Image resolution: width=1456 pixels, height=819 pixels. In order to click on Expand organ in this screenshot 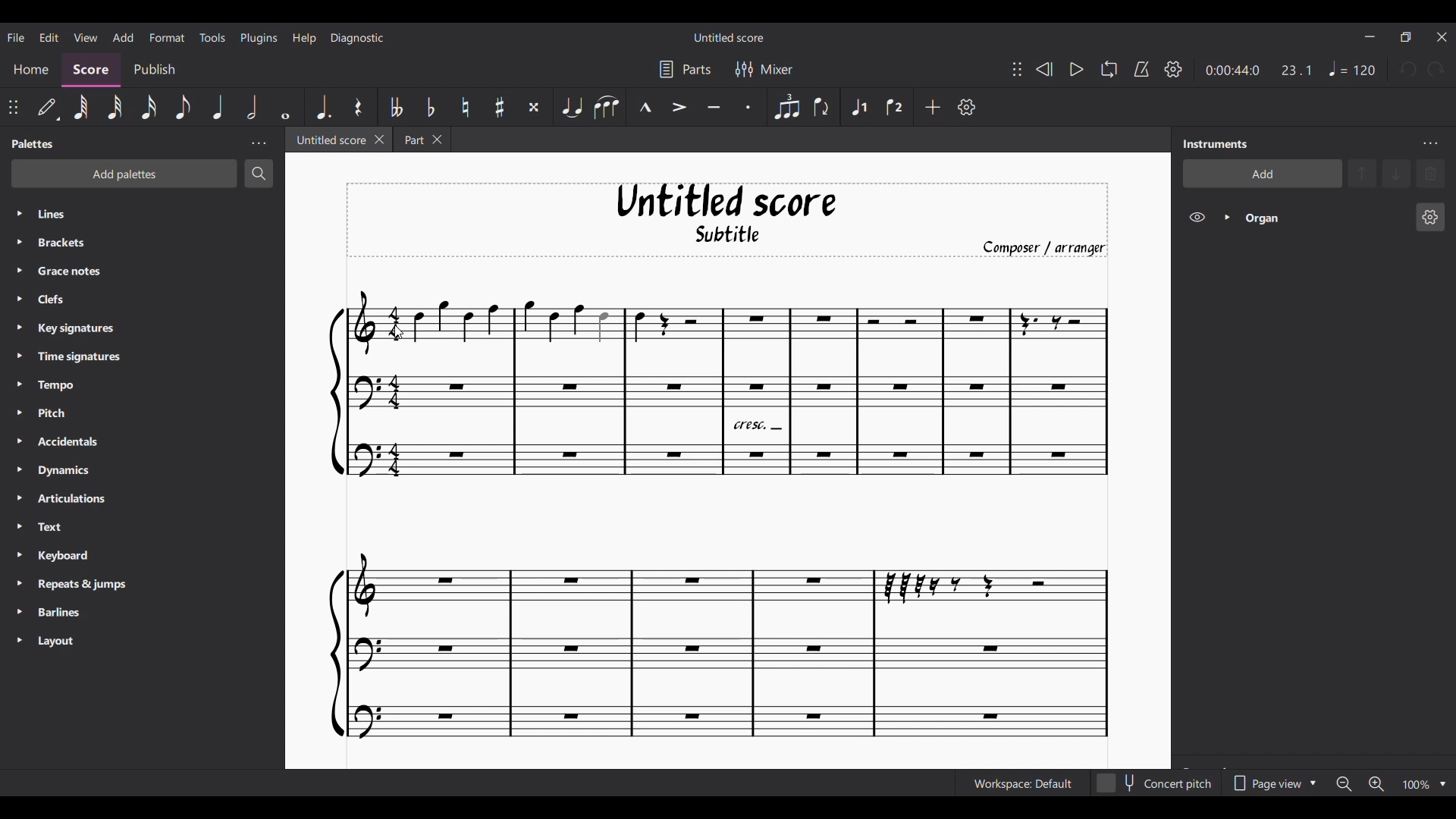, I will do `click(1227, 217)`.